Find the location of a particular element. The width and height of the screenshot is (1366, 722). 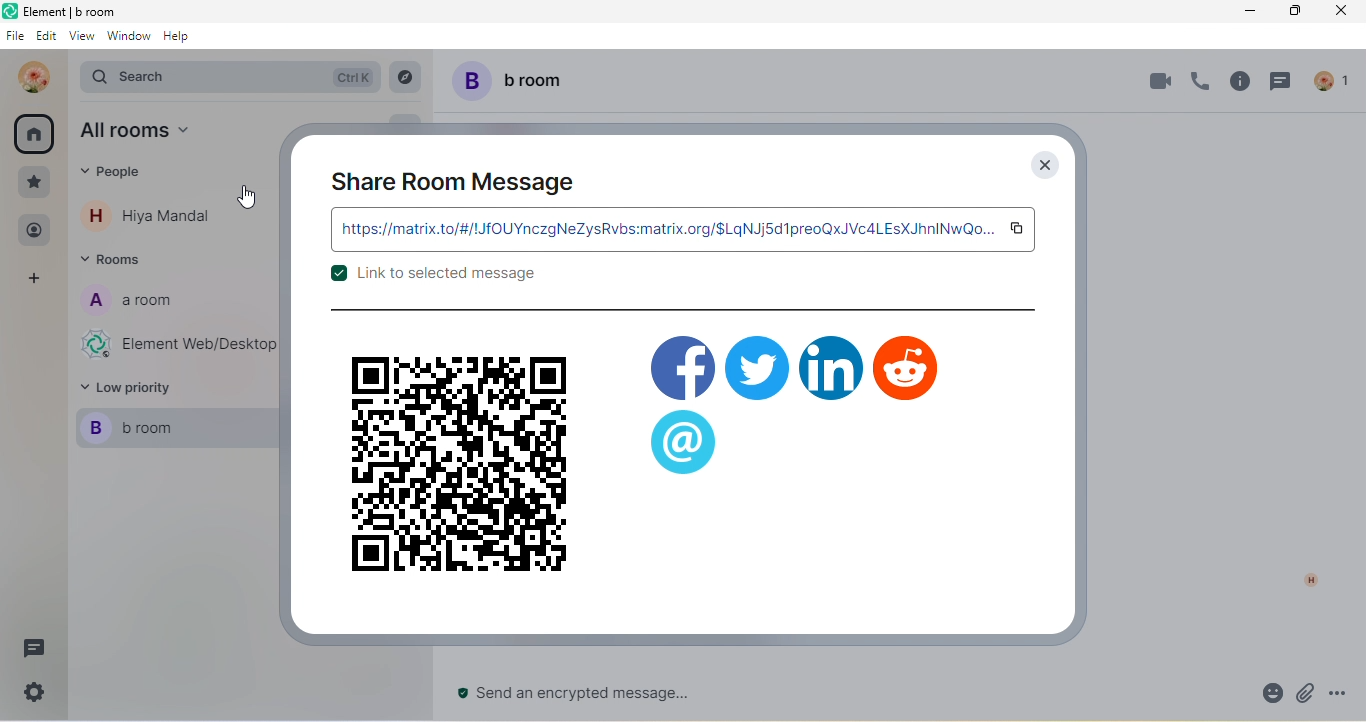

people is located at coordinates (1335, 79).